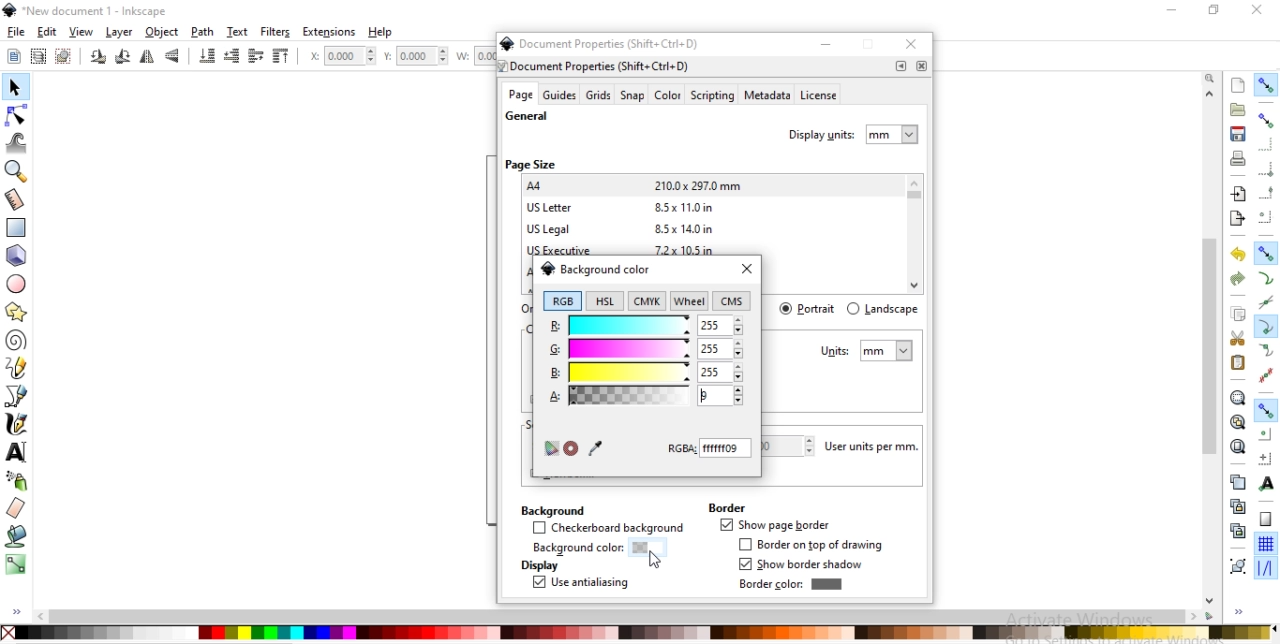 The width and height of the screenshot is (1280, 644). Describe the element at coordinates (1264, 483) in the screenshot. I see `snap text anchors and baselines` at that location.